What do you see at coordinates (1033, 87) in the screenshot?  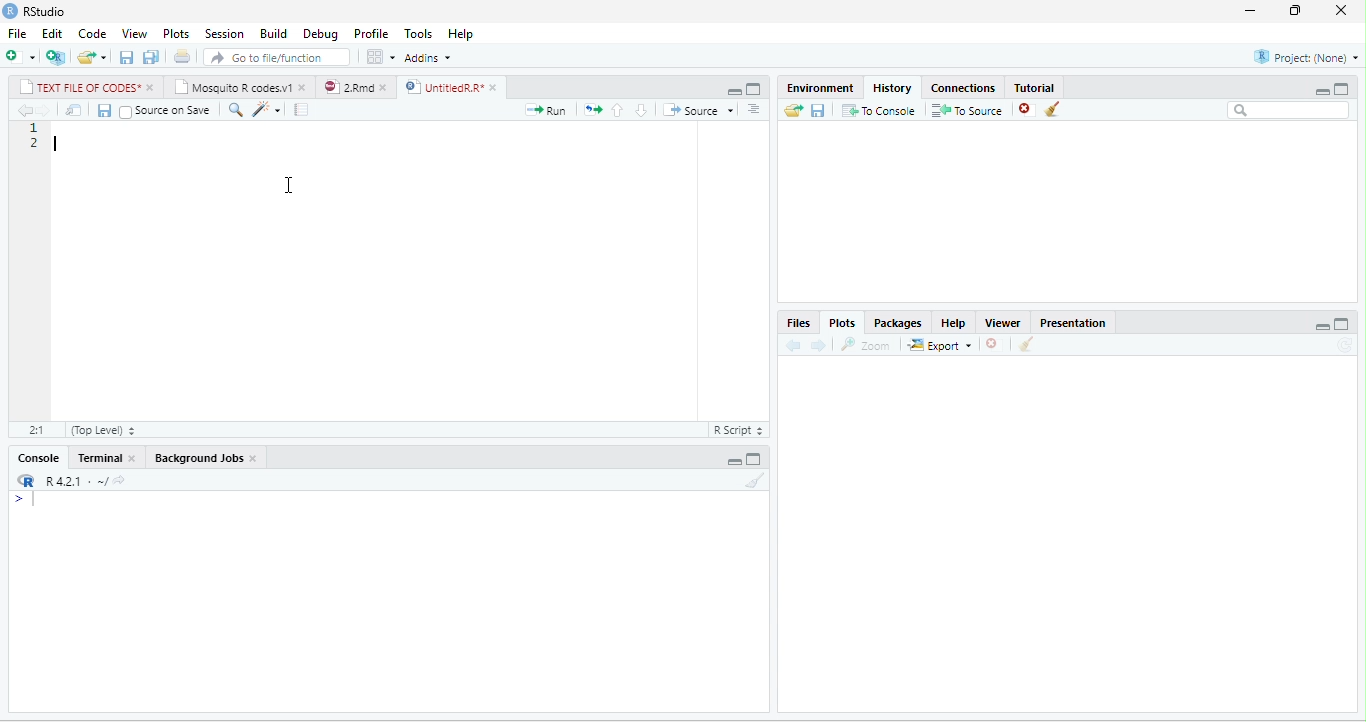 I see `Tutorial` at bounding box center [1033, 87].